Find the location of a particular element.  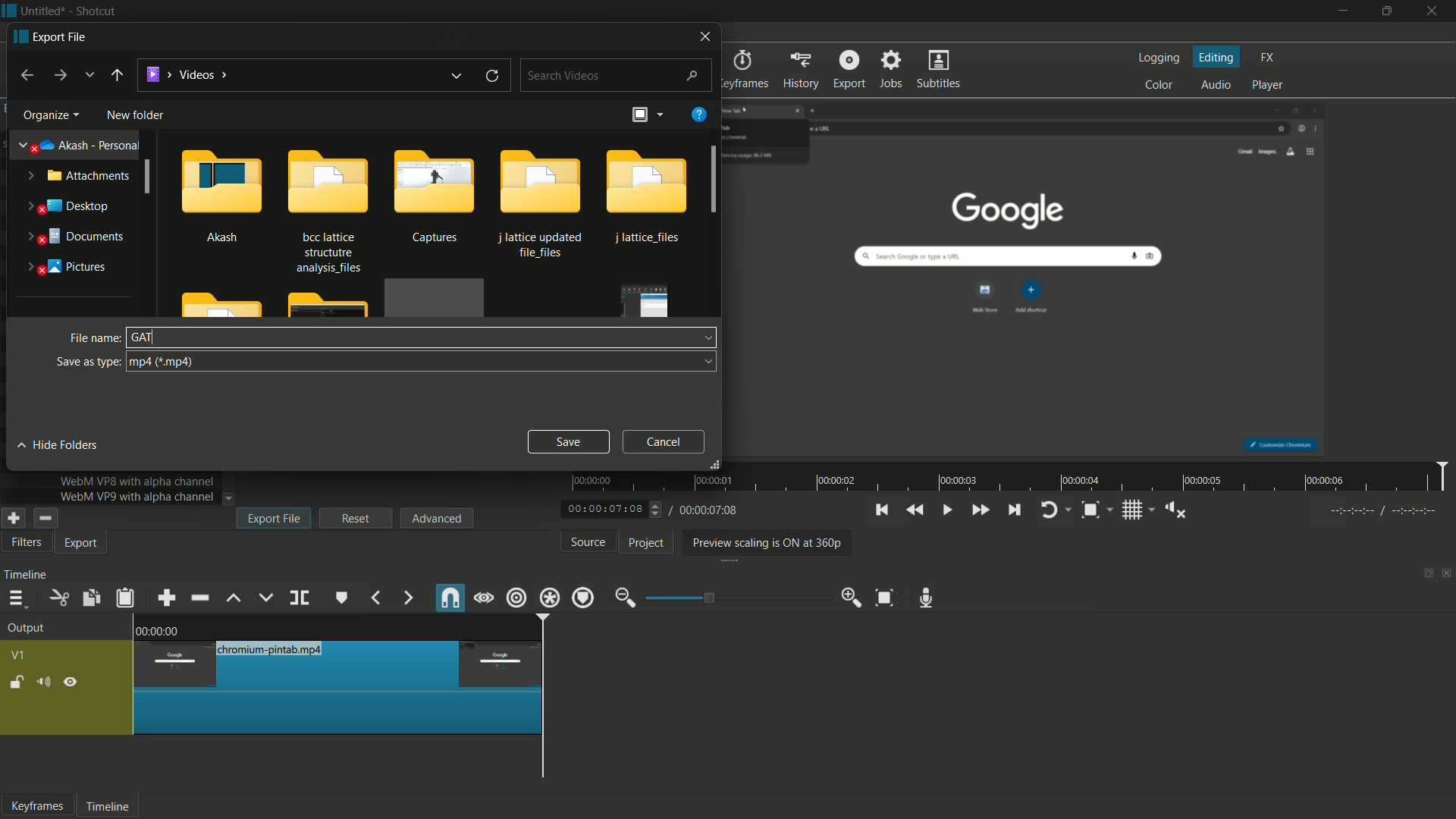

zoom out is located at coordinates (625, 599).